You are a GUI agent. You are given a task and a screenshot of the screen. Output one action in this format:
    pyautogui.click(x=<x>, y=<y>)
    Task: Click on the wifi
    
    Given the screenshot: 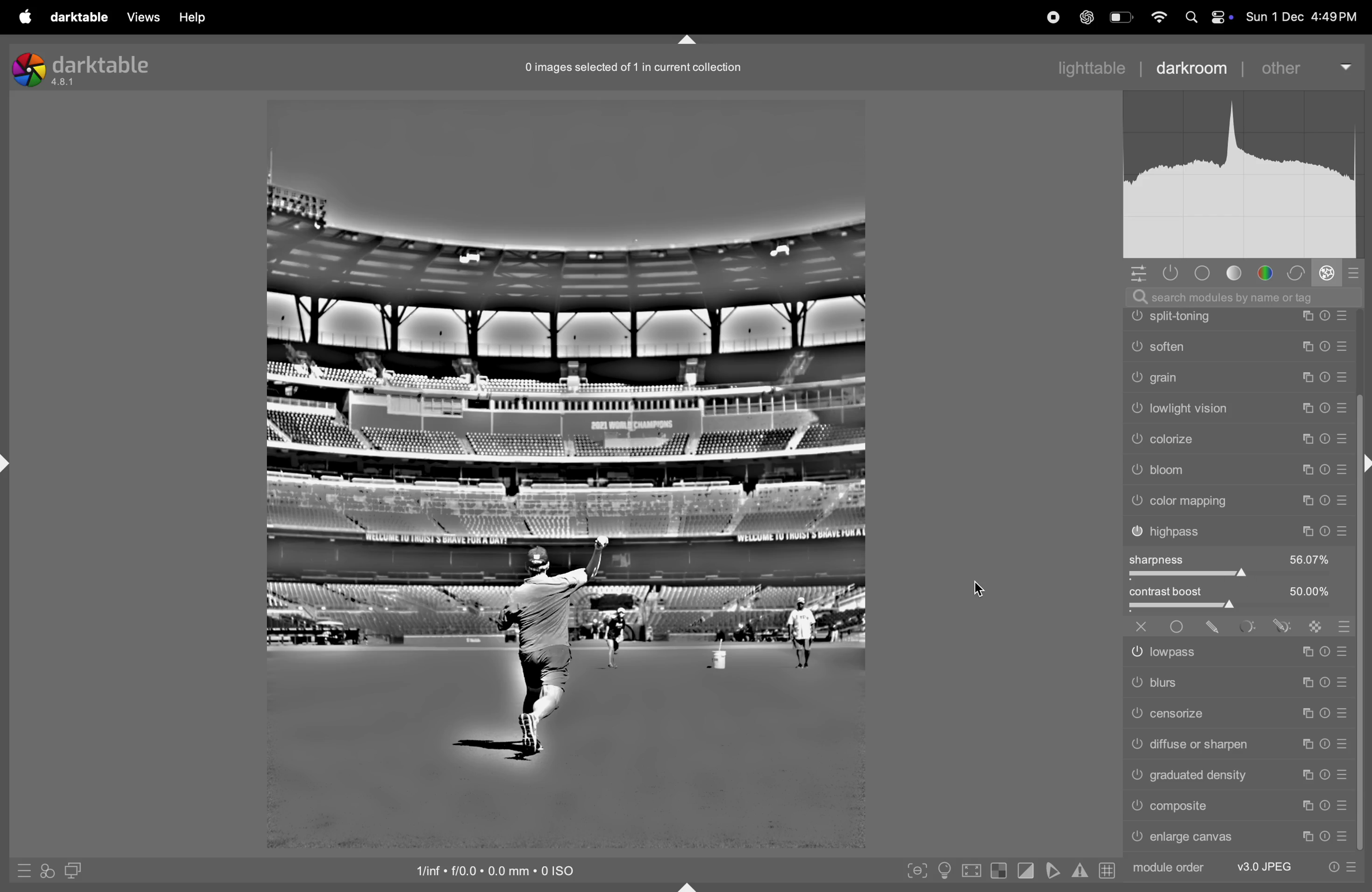 What is the action you would take?
    pyautogui.click(x=1158, y=18)
    